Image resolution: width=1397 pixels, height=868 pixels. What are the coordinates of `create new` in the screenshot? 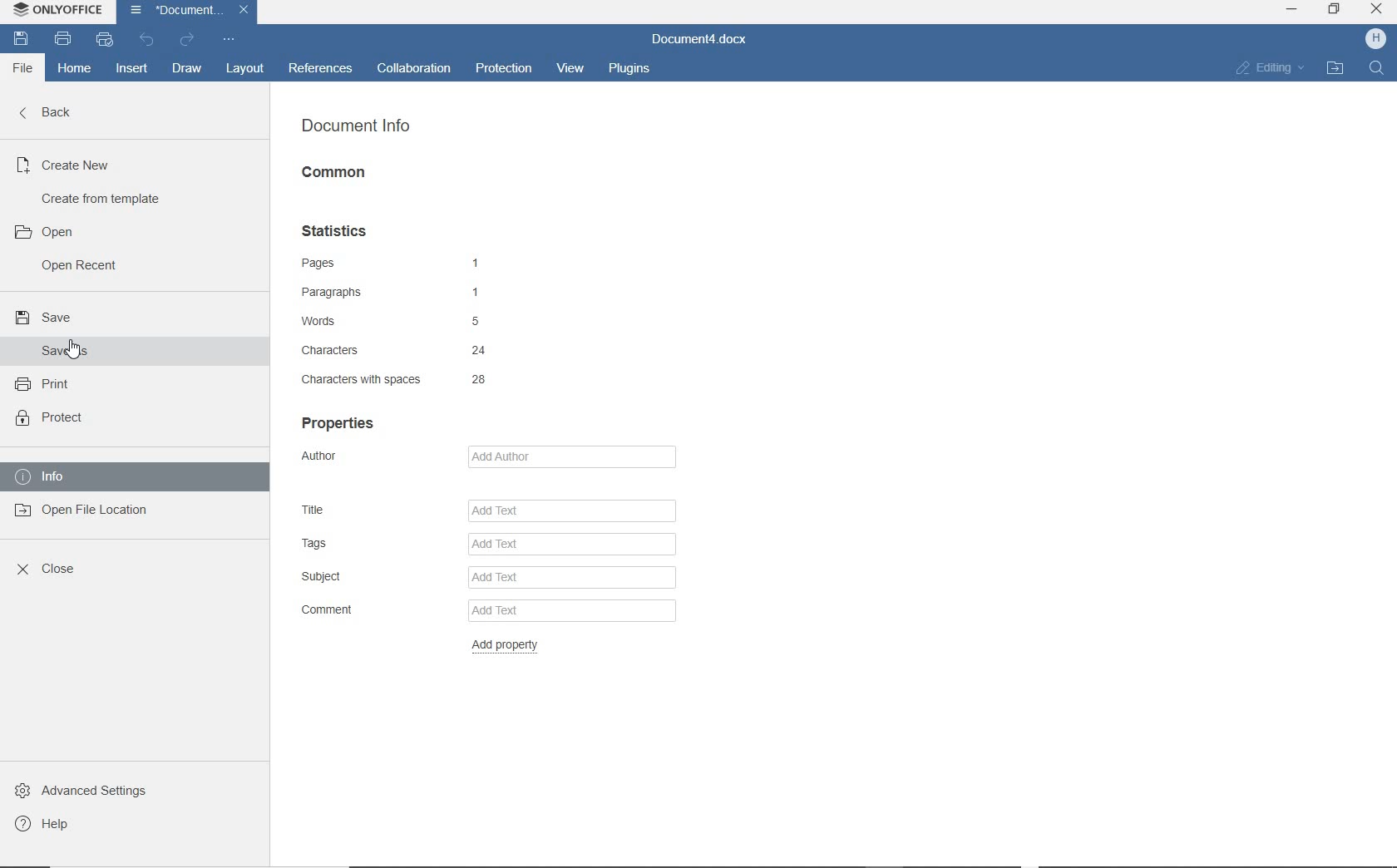 It's located at (68, 163).